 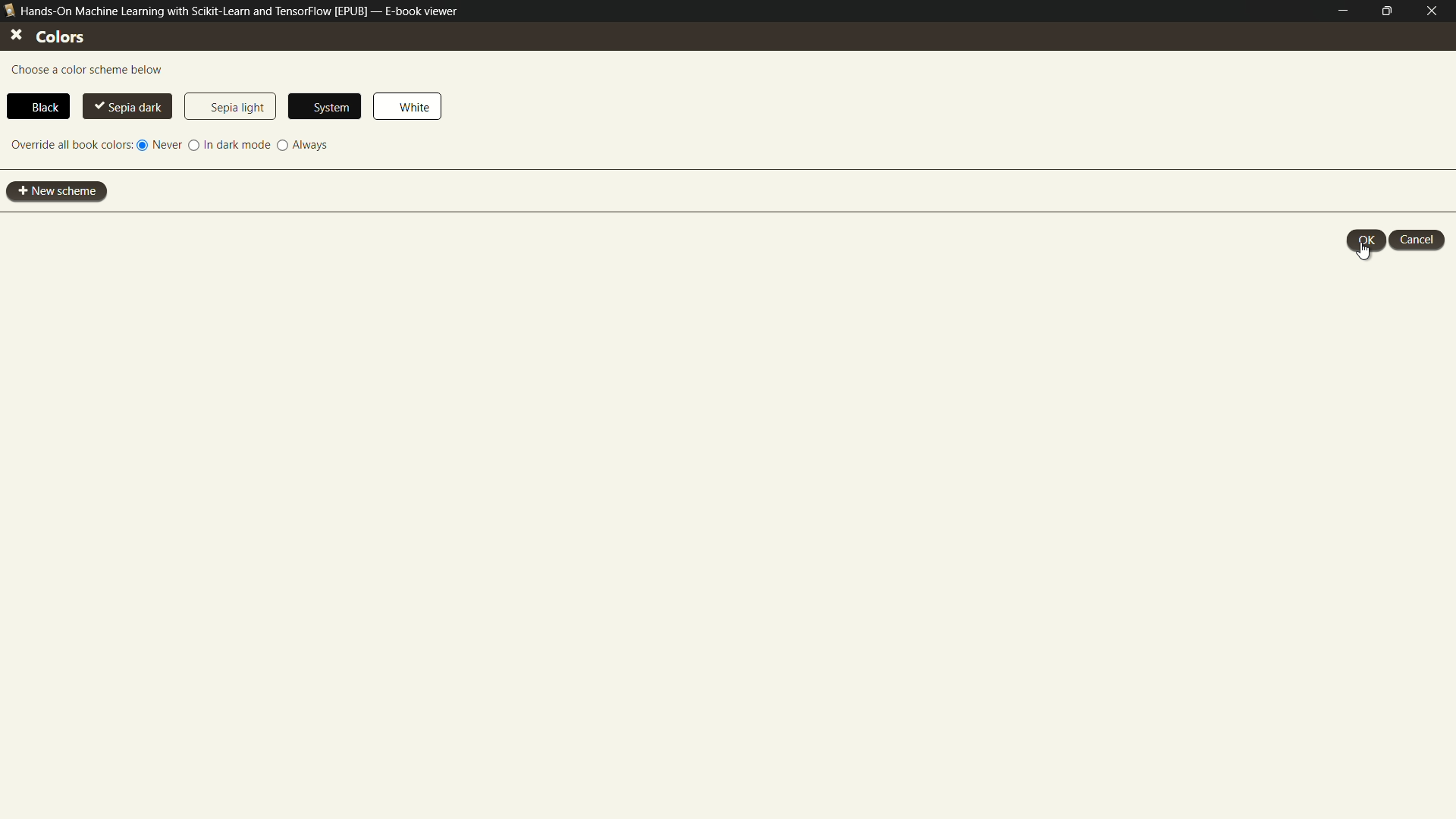 What do you see at coordinates (58, 192) in the screenshot?
I see `new scheme` at bounding box center [58, 192].